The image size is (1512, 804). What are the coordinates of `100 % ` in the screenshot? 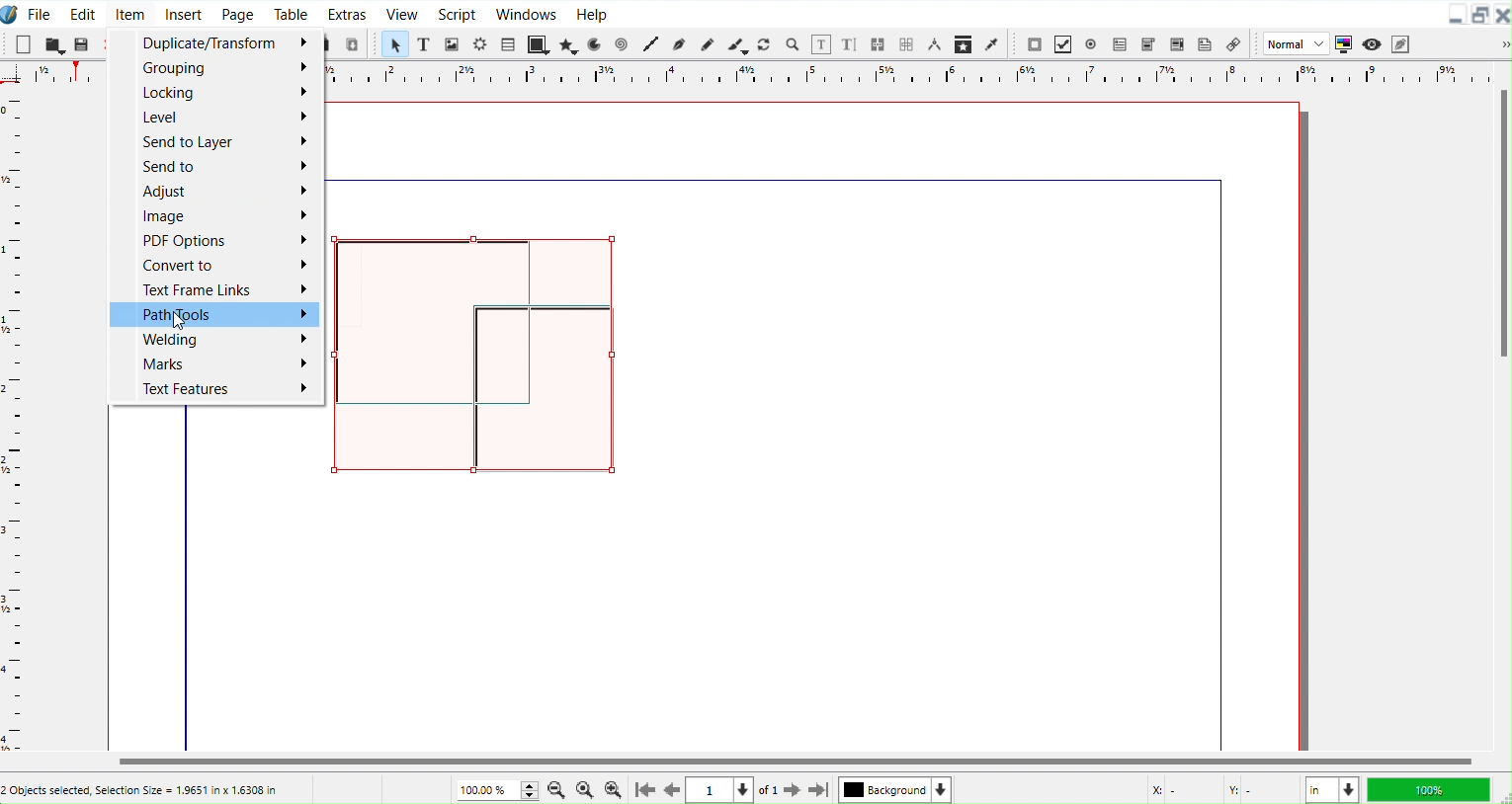 It's located at (1432, 789).